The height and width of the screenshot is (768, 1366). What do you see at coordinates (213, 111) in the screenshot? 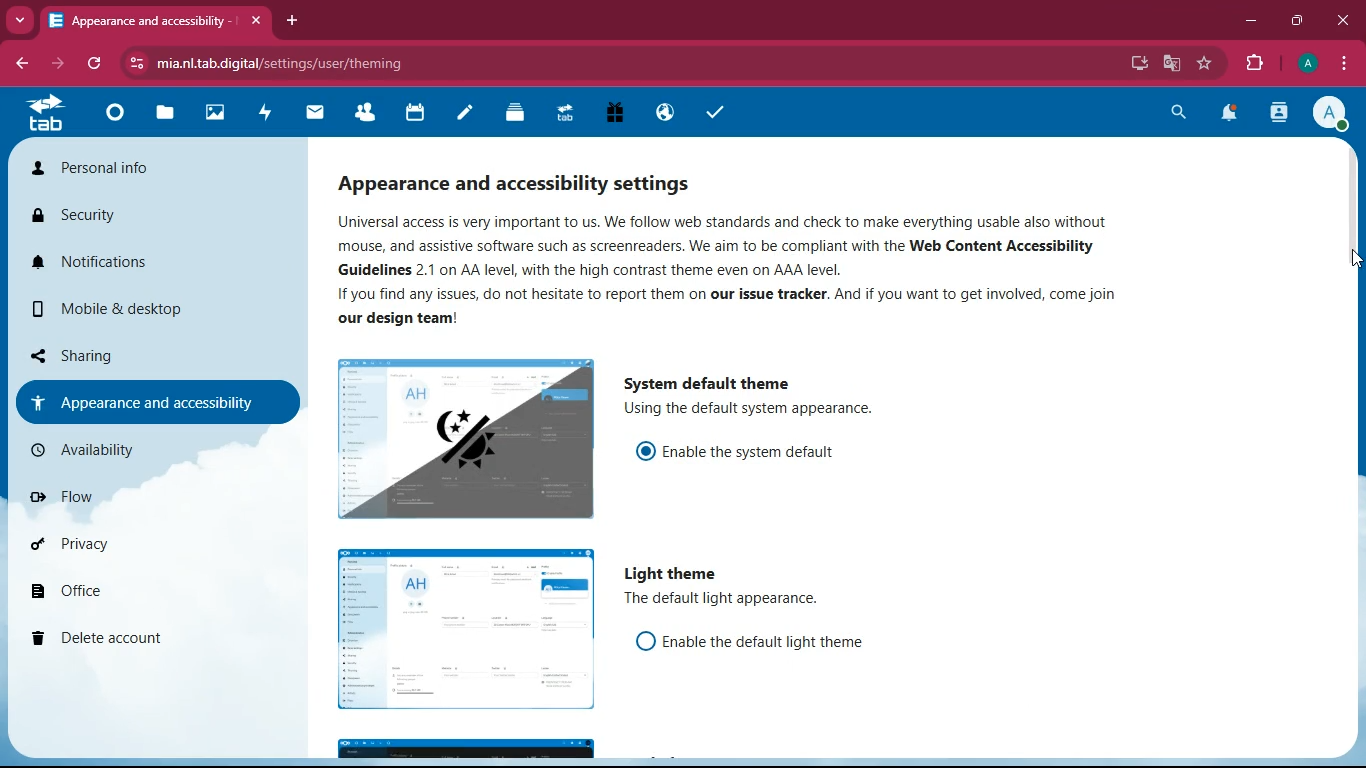
I see `images` at bounding box center [213, 111].